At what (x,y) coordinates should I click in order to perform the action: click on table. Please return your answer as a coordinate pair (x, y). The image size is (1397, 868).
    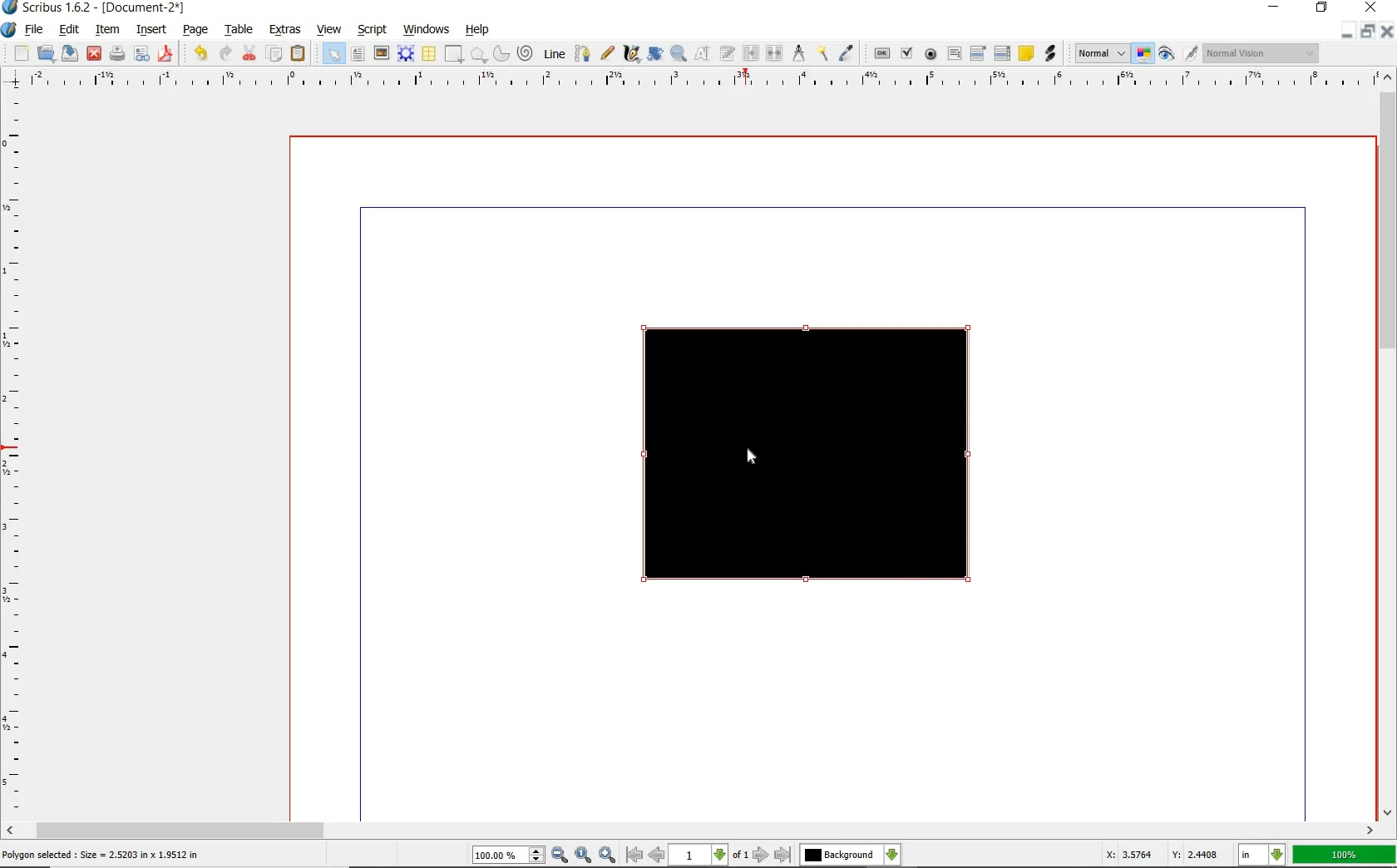
    Looking at the image, I should click on (429, 53).